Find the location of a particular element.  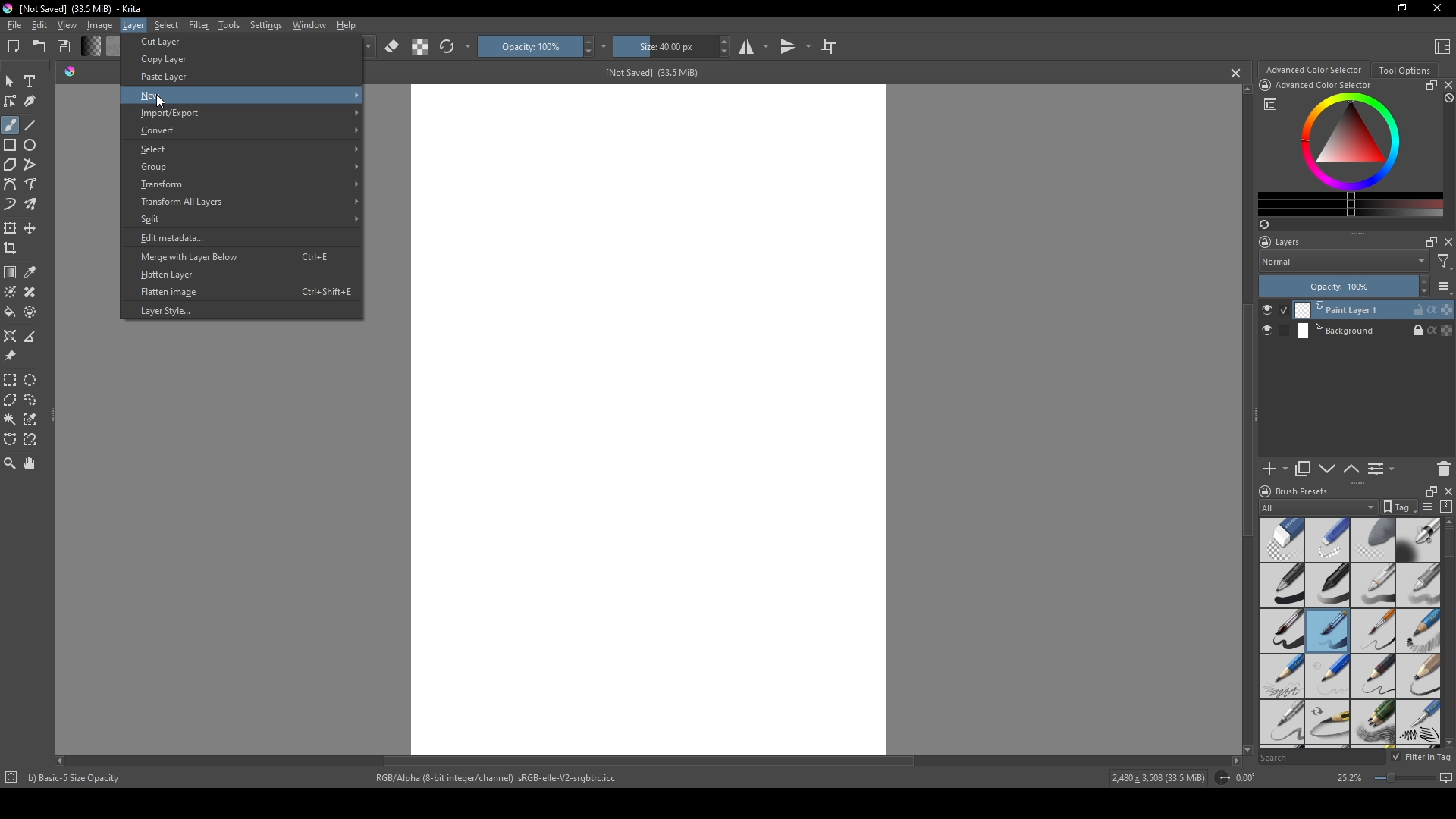

Tool Options is located at coordinates (1404, 71).